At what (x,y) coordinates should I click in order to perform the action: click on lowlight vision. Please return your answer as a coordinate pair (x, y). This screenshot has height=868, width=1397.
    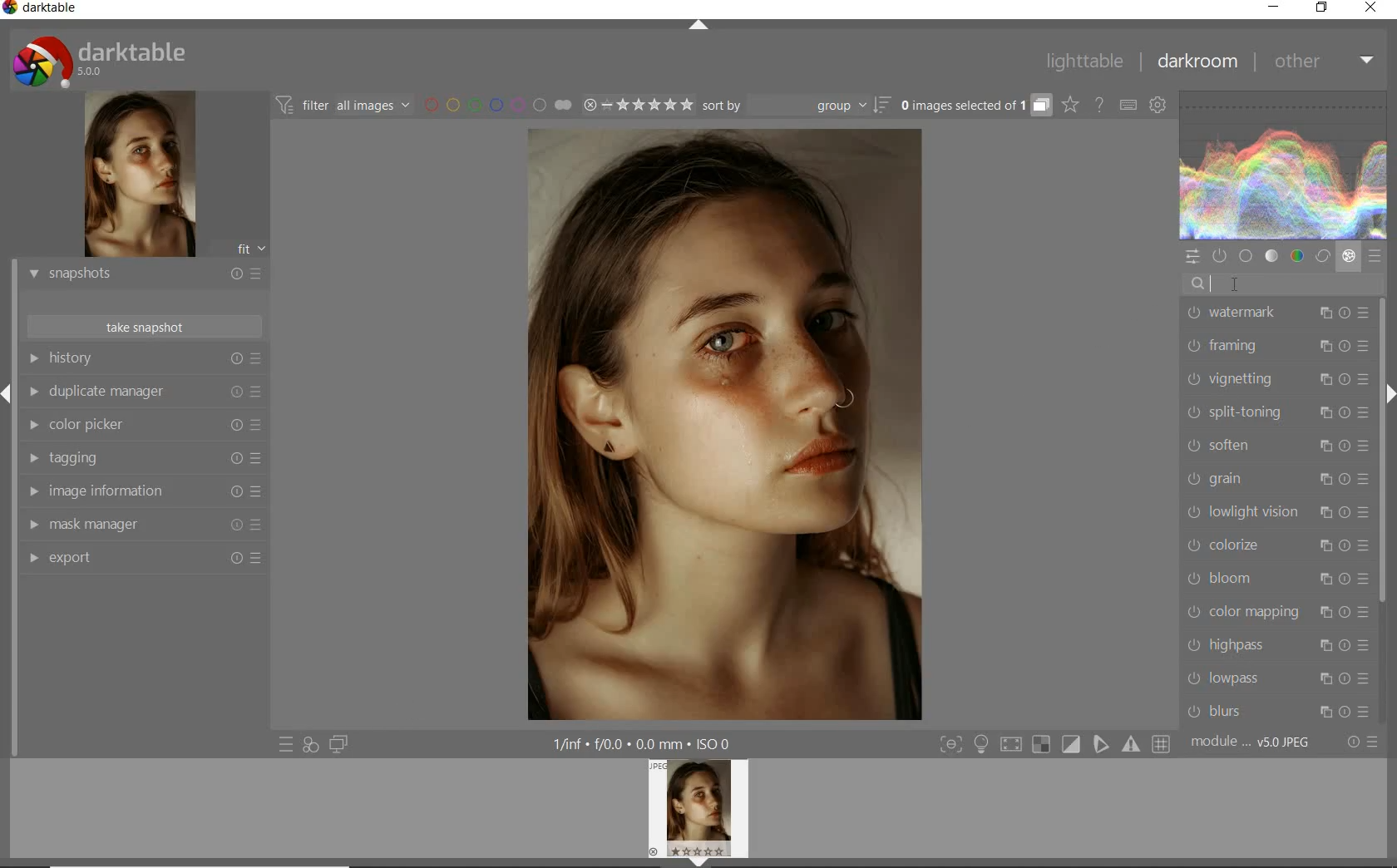
    Looking at the image, I should click on (1275, 513).